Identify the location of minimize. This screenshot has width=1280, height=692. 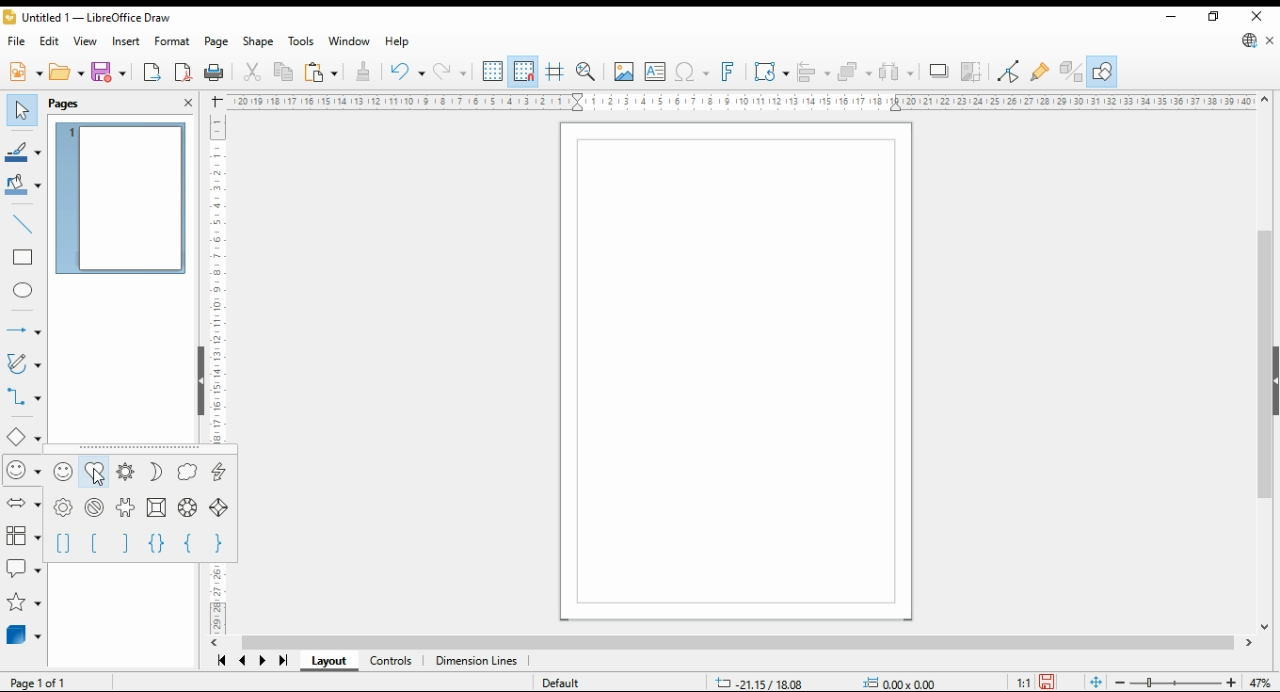
(1170, 16).